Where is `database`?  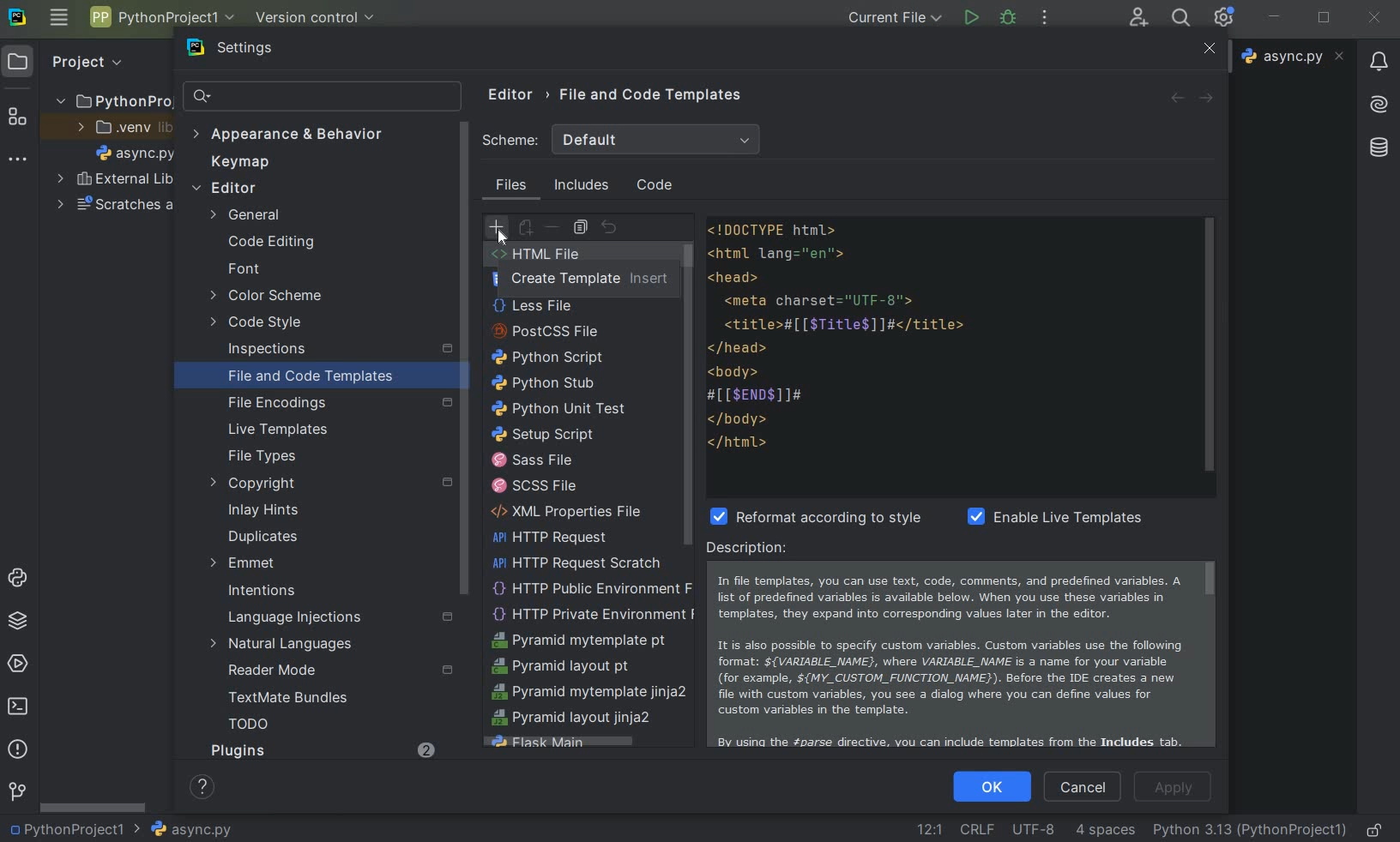
database is located at coordinates (1379, 153).